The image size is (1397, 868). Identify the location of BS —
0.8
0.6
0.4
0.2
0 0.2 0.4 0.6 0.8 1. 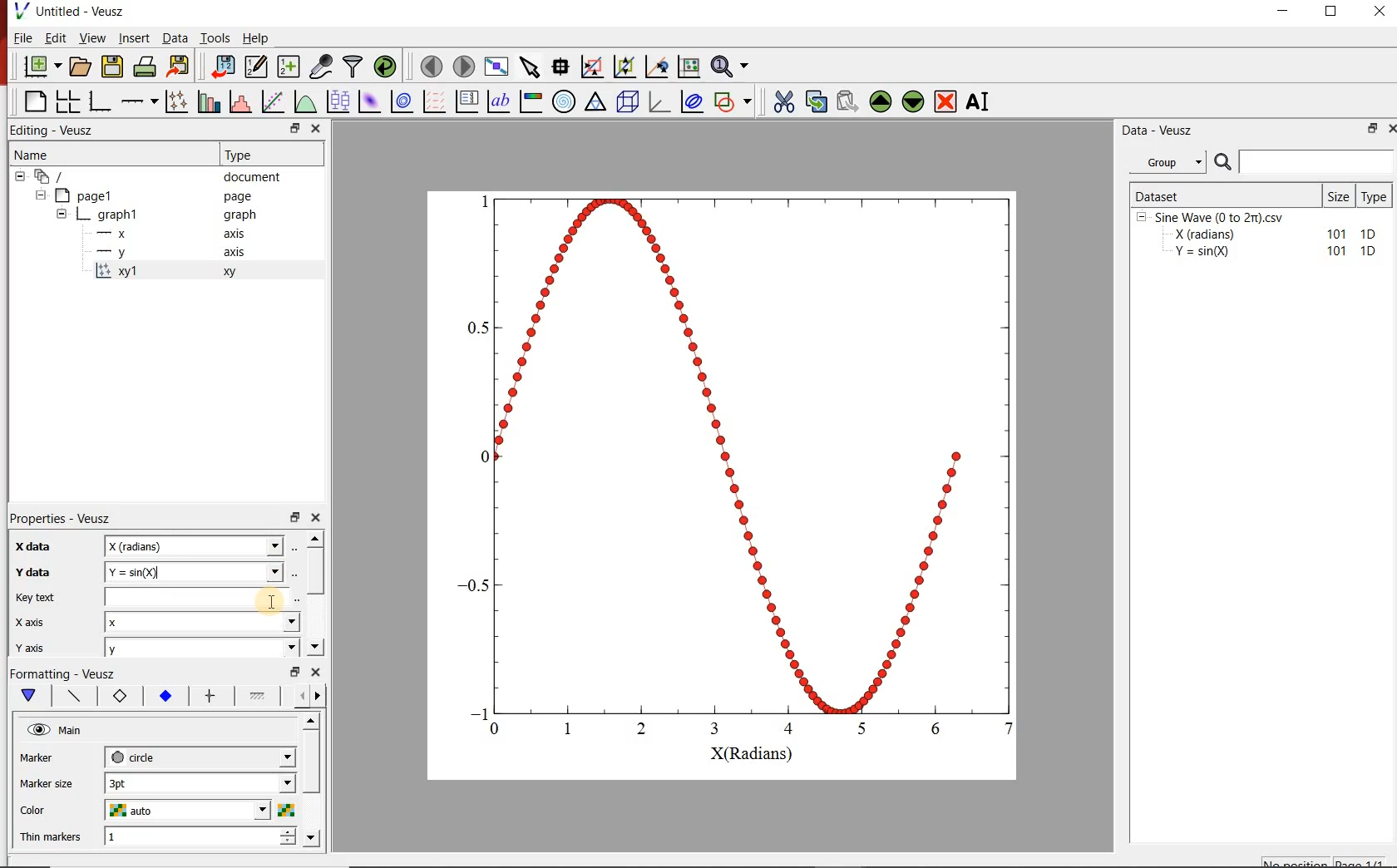
(743, 476).